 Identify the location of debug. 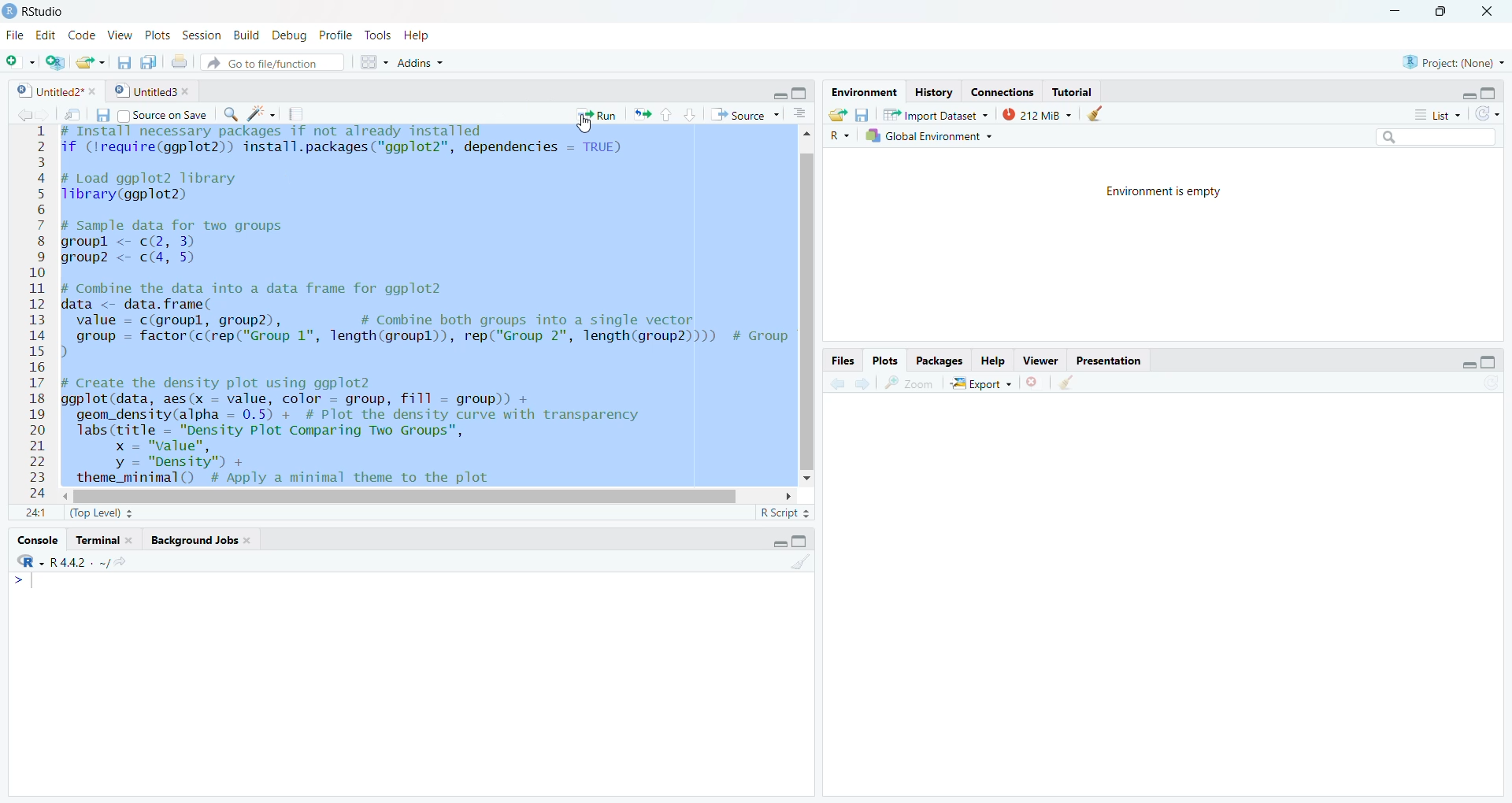
(288, 35).